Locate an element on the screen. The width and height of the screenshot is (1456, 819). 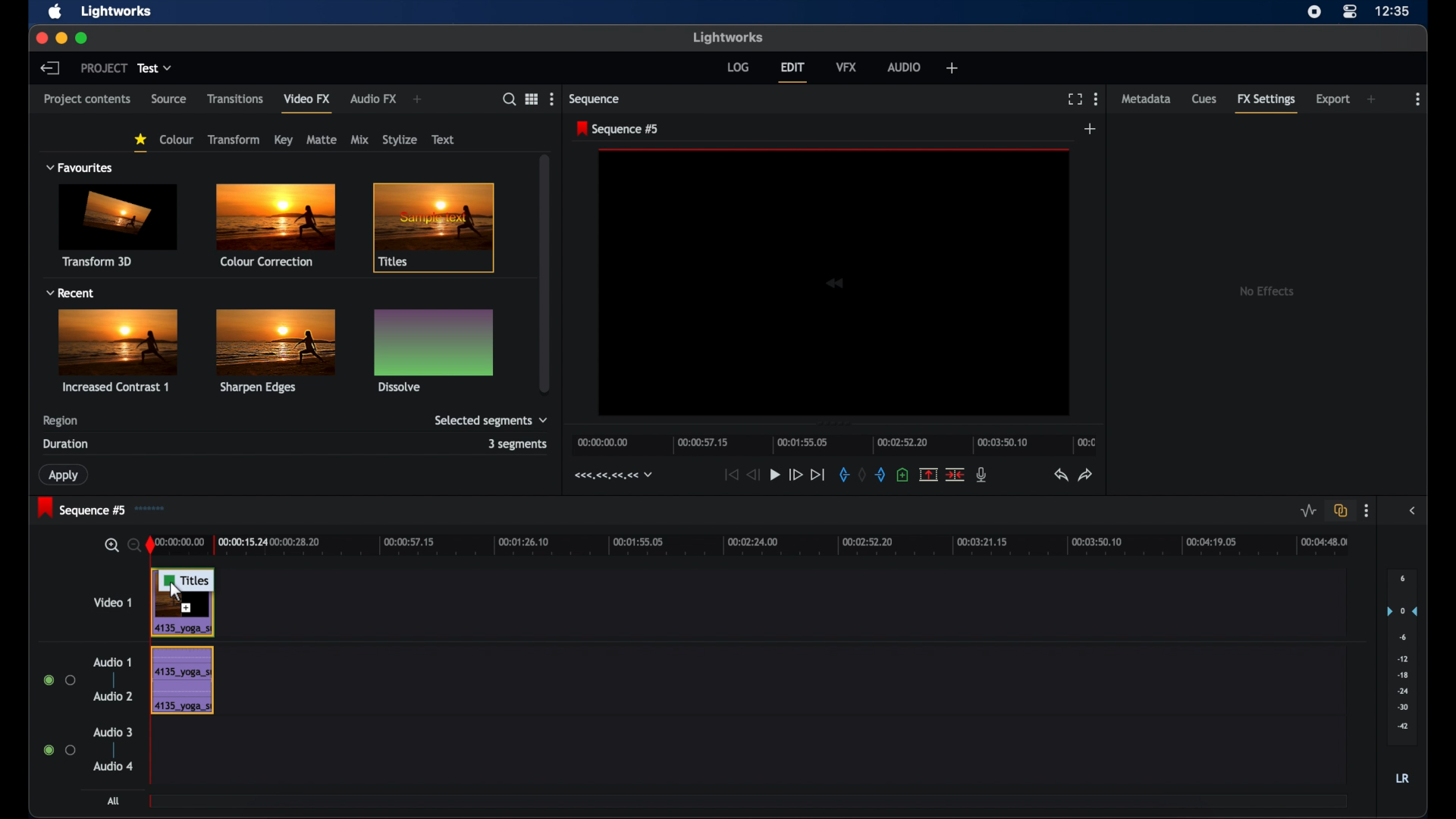
more options is located at coordinates (1096, 99).